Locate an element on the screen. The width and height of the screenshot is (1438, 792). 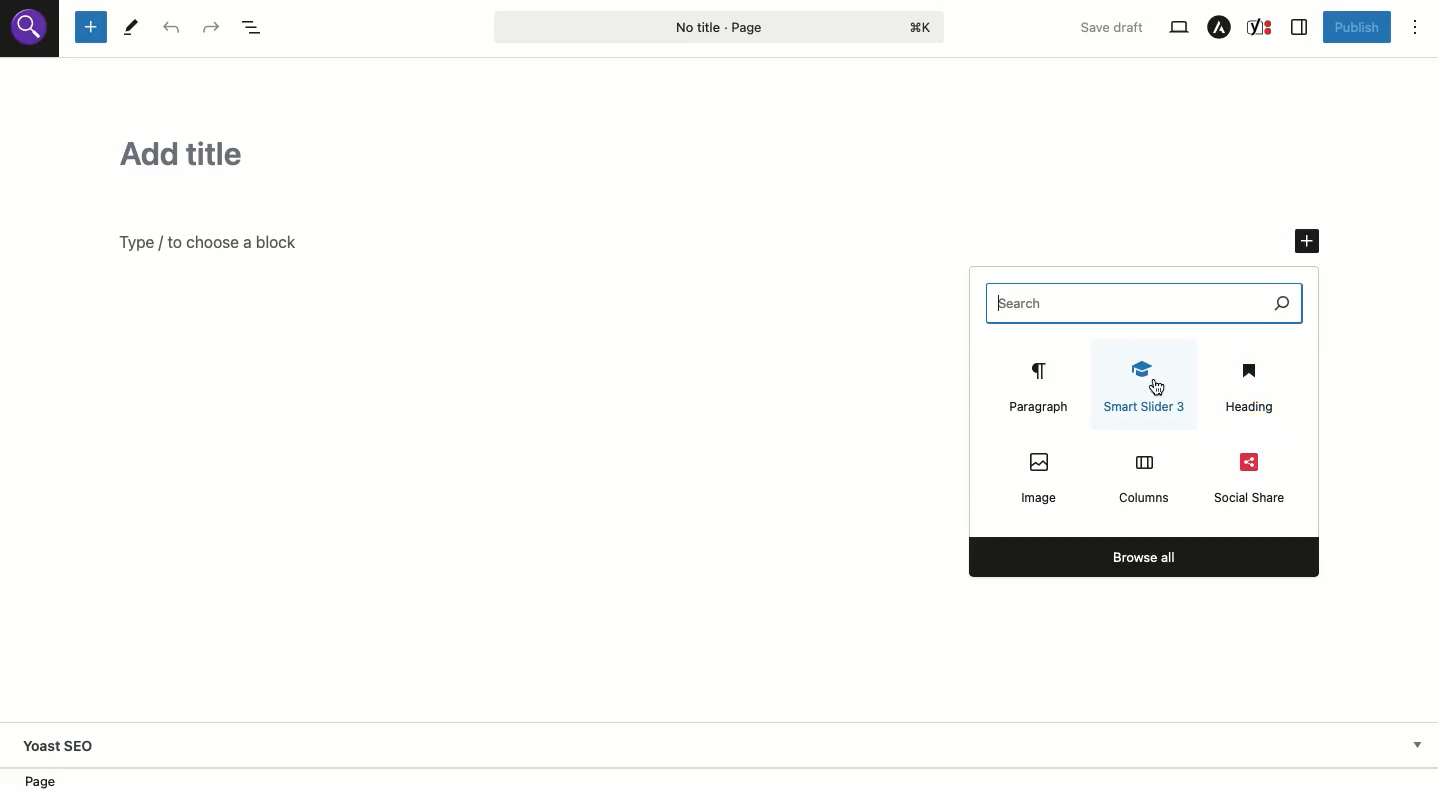
Publish is located at coordinates (1357, 29).